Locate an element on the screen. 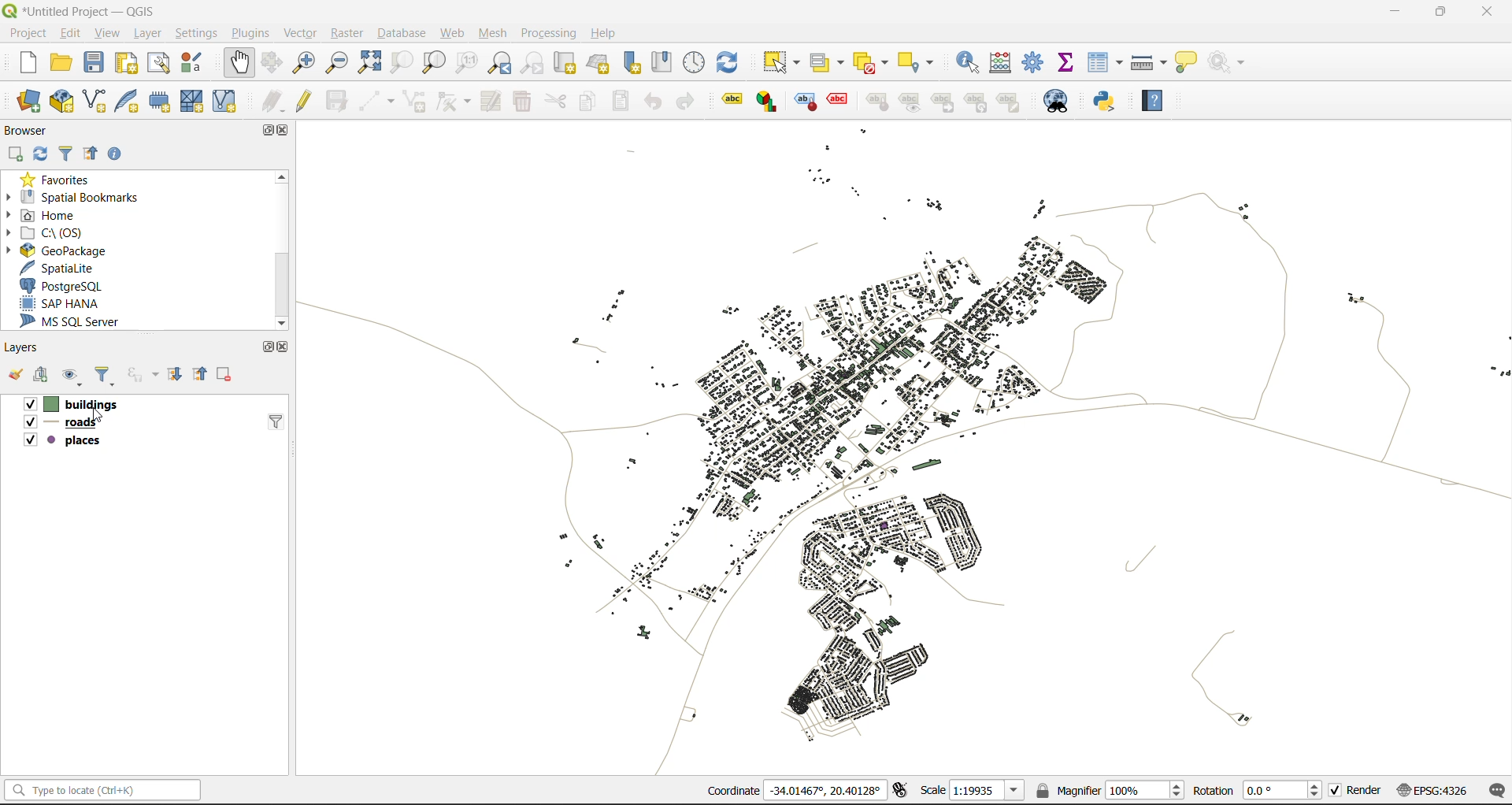  modify is located at coordinates (488, 100).